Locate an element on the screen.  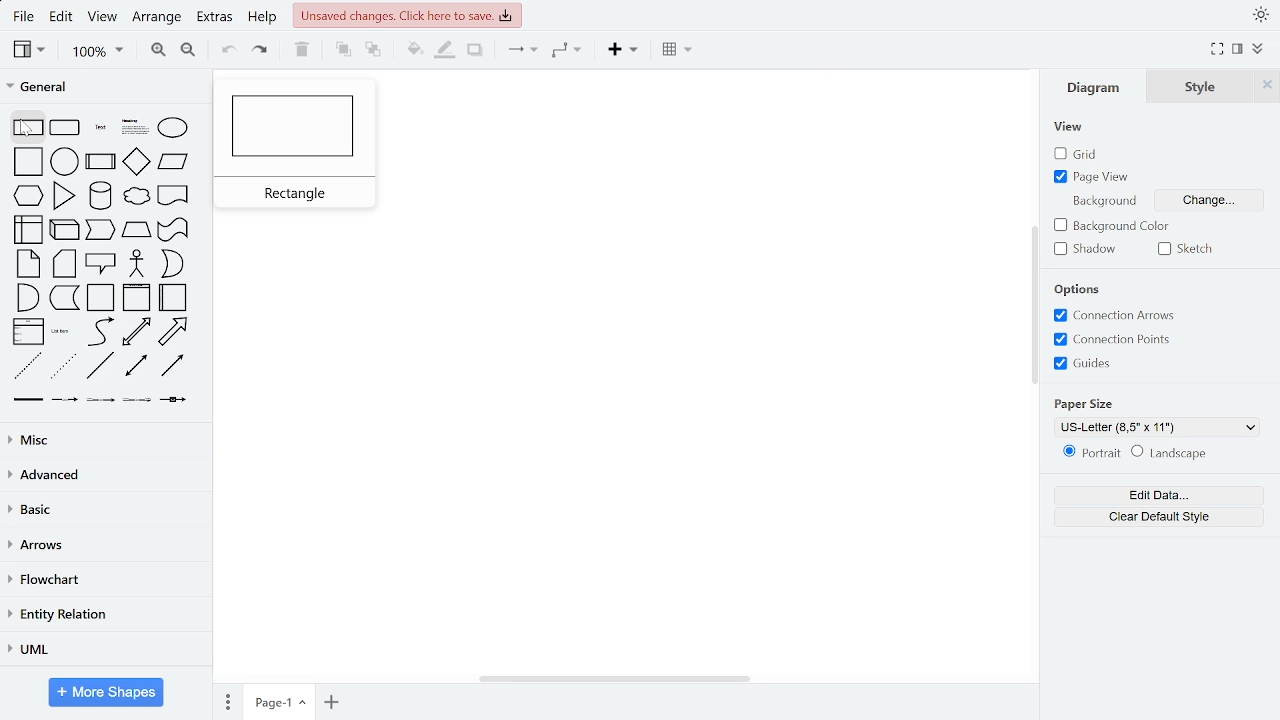
fullscreen is located at coordinates (1216, 50).